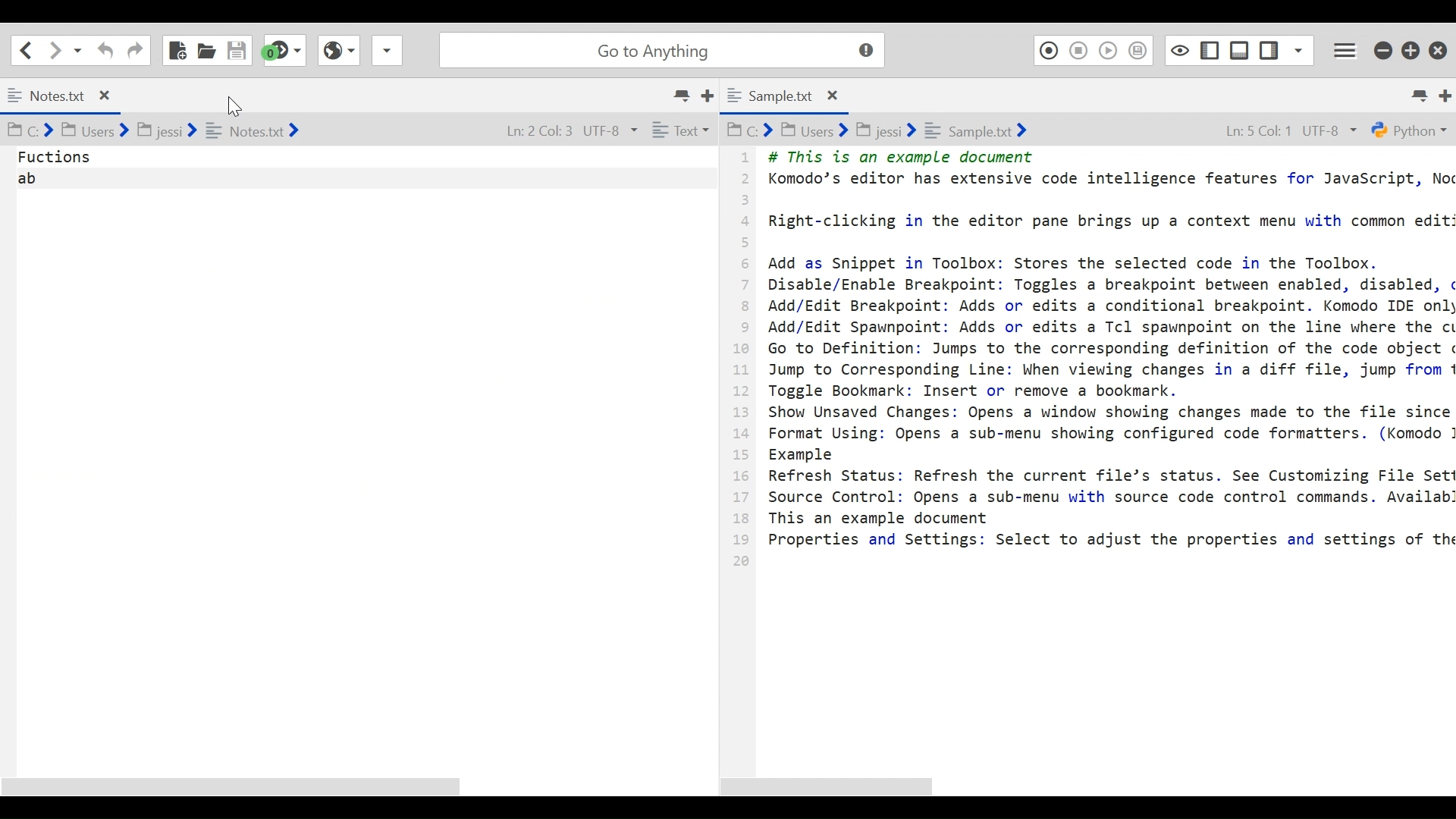 This screenshot has height=819, width=1456. I want to click on Undo, so click(106, 49).